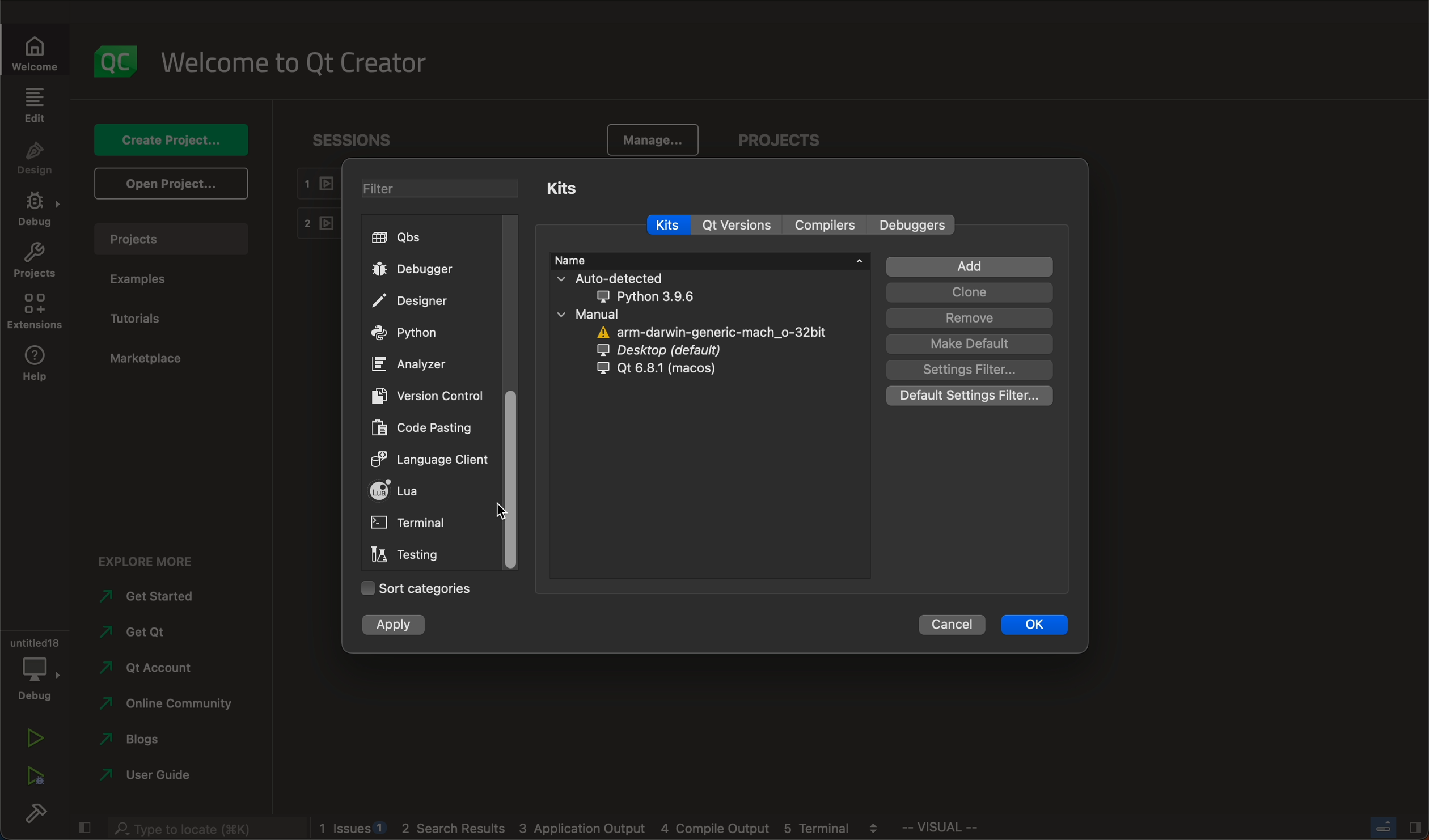 Image resolution: width=1429 pixels, height=840 pixels. What do you see at coordinates (35, 365) in the screenshot?
I see `help` at bounding box center [35, 365].